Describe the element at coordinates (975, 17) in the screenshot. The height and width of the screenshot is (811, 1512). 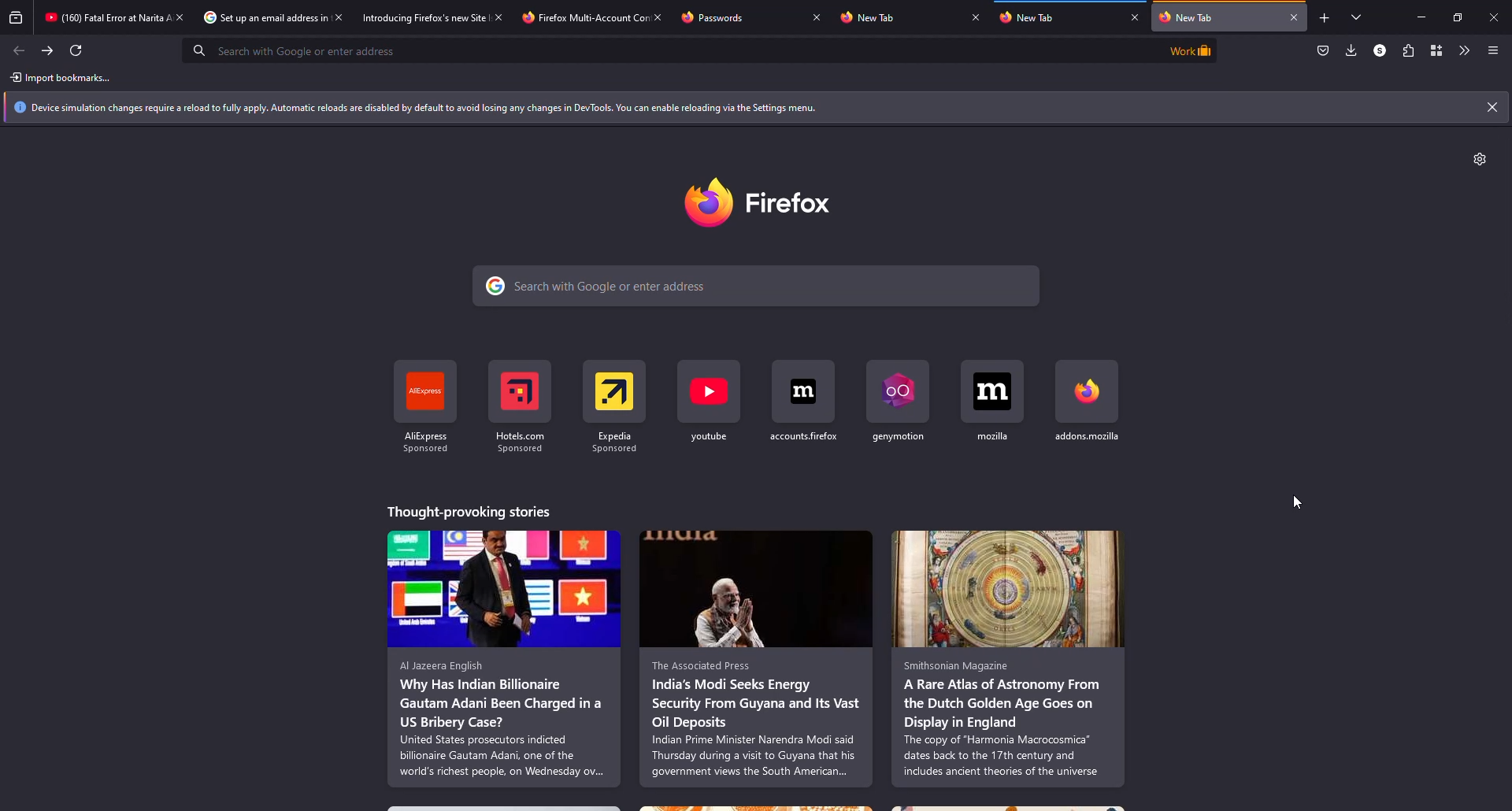
I see `close` at that location.